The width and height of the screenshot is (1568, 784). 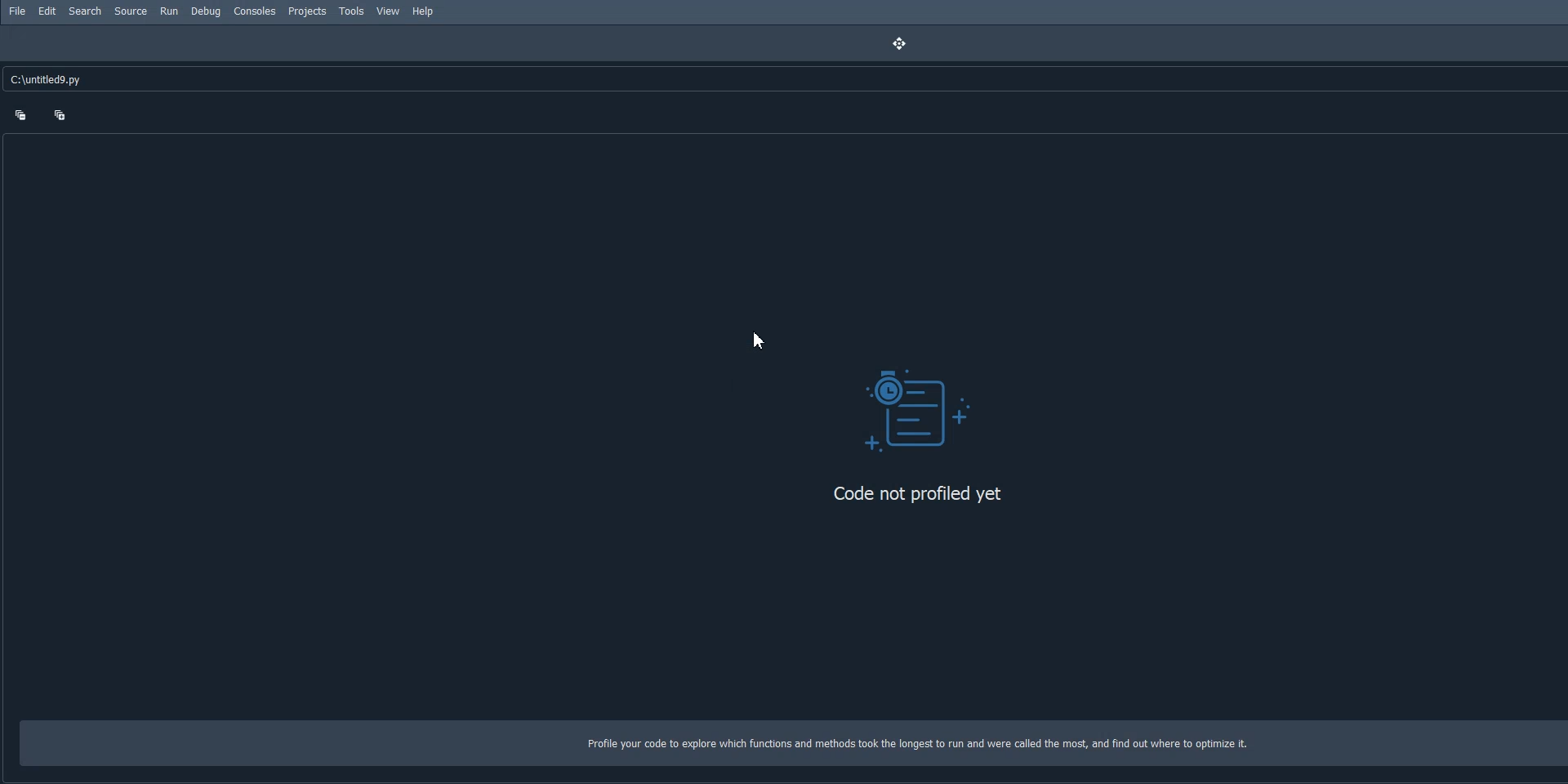 I want to click on Profile your code to explore which functions and methods took the longest to run and were called the most, and find out where to optimize it, so click(x=928, y=744).